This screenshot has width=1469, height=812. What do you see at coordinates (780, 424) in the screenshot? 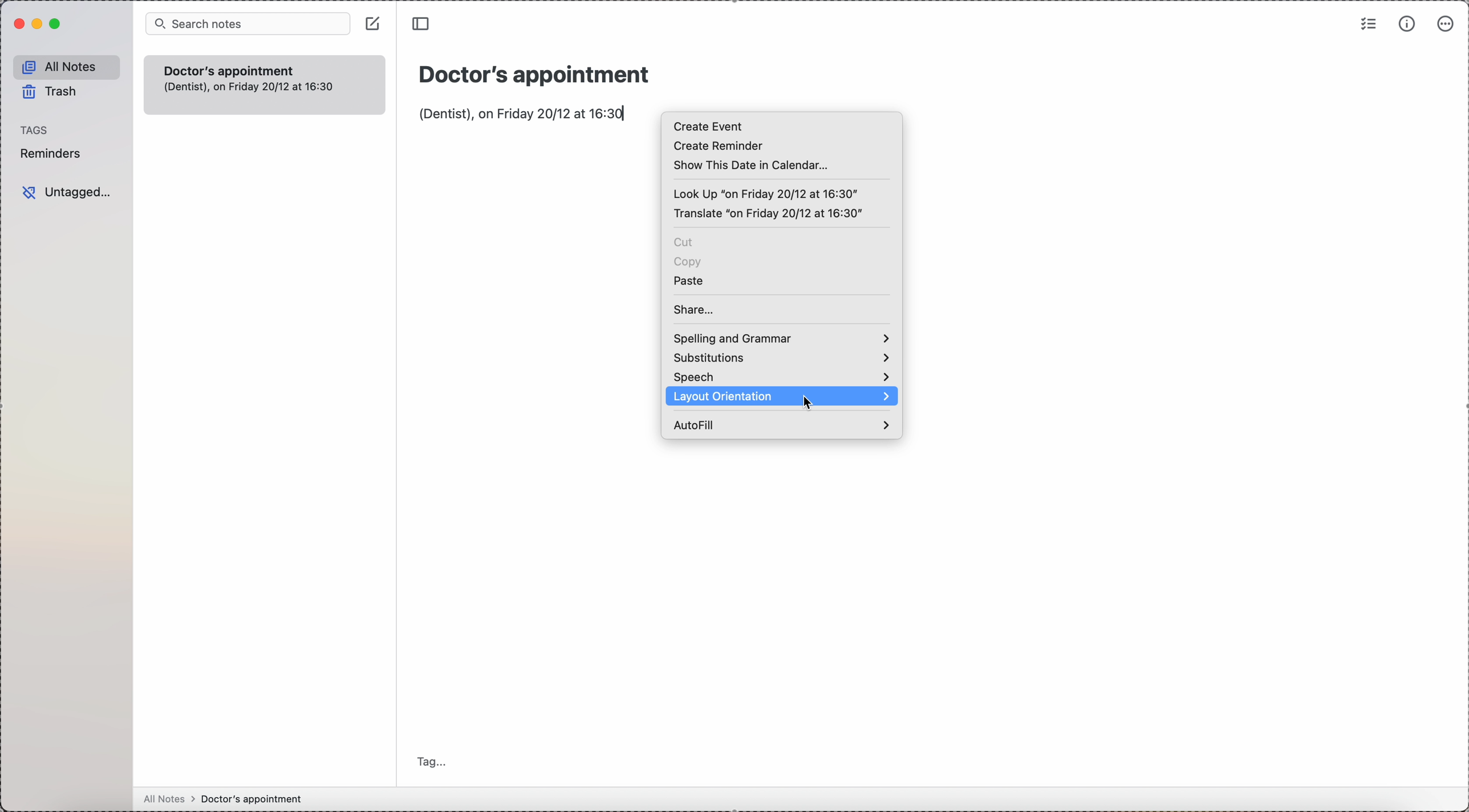
I see `autofill` at bounding box center [780, 424].